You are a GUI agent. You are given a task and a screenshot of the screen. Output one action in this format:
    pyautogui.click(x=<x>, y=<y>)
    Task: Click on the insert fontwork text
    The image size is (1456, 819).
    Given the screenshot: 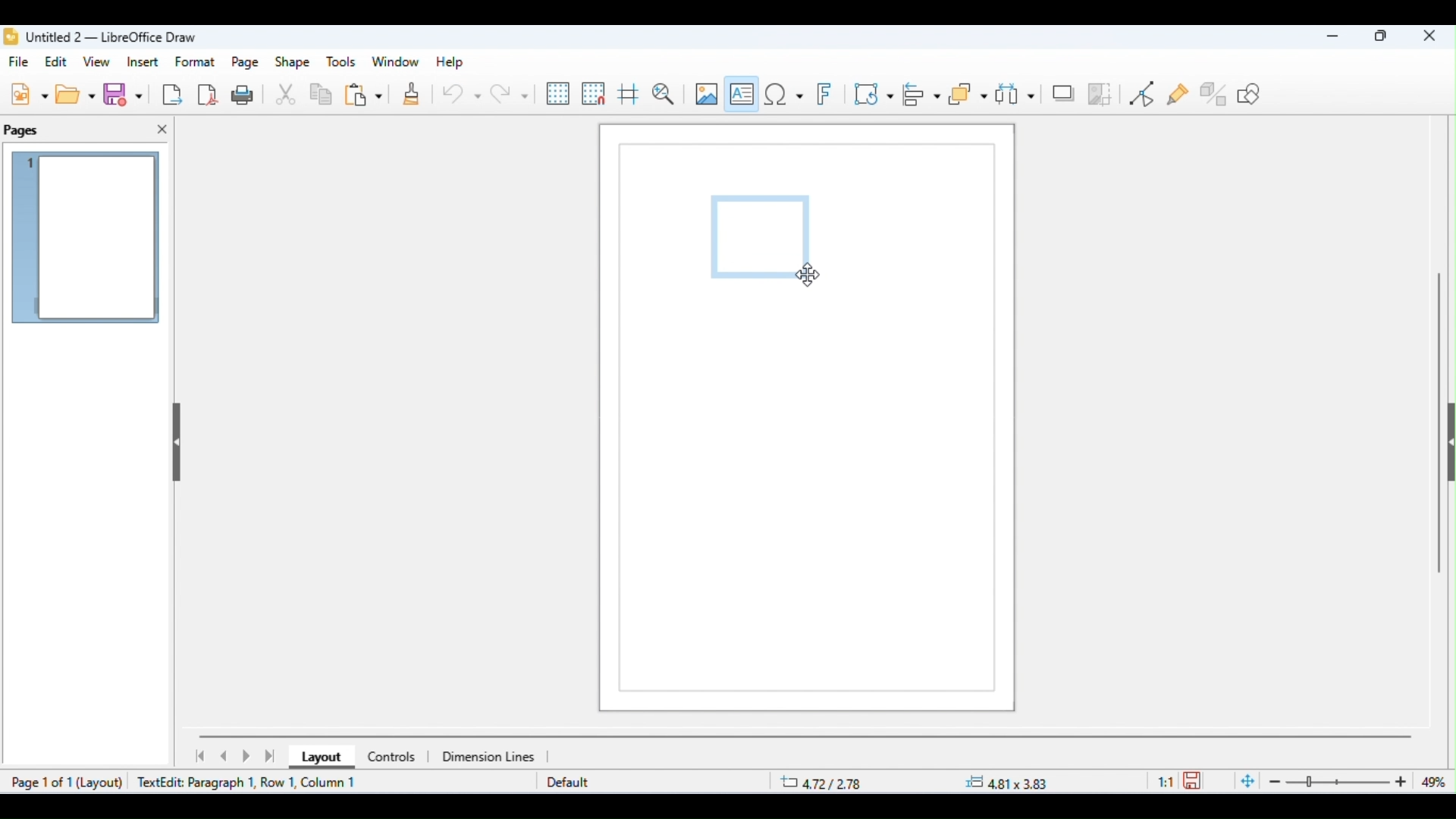 What is the action you would take?
    pyautogui.click(x=827, y=95)
    